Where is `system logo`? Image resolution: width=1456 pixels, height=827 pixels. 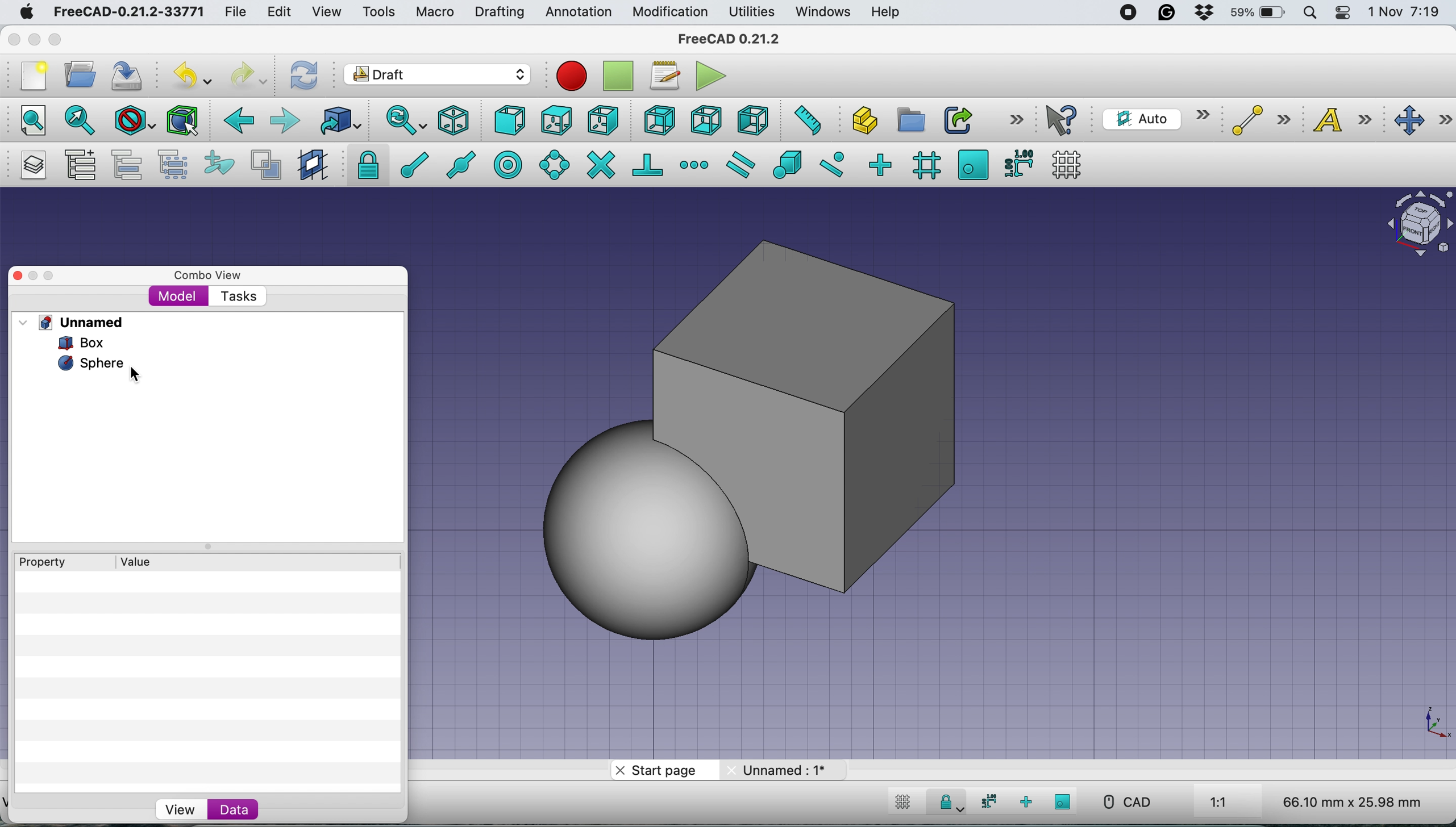
system logo is located at coordinates (28, 12).